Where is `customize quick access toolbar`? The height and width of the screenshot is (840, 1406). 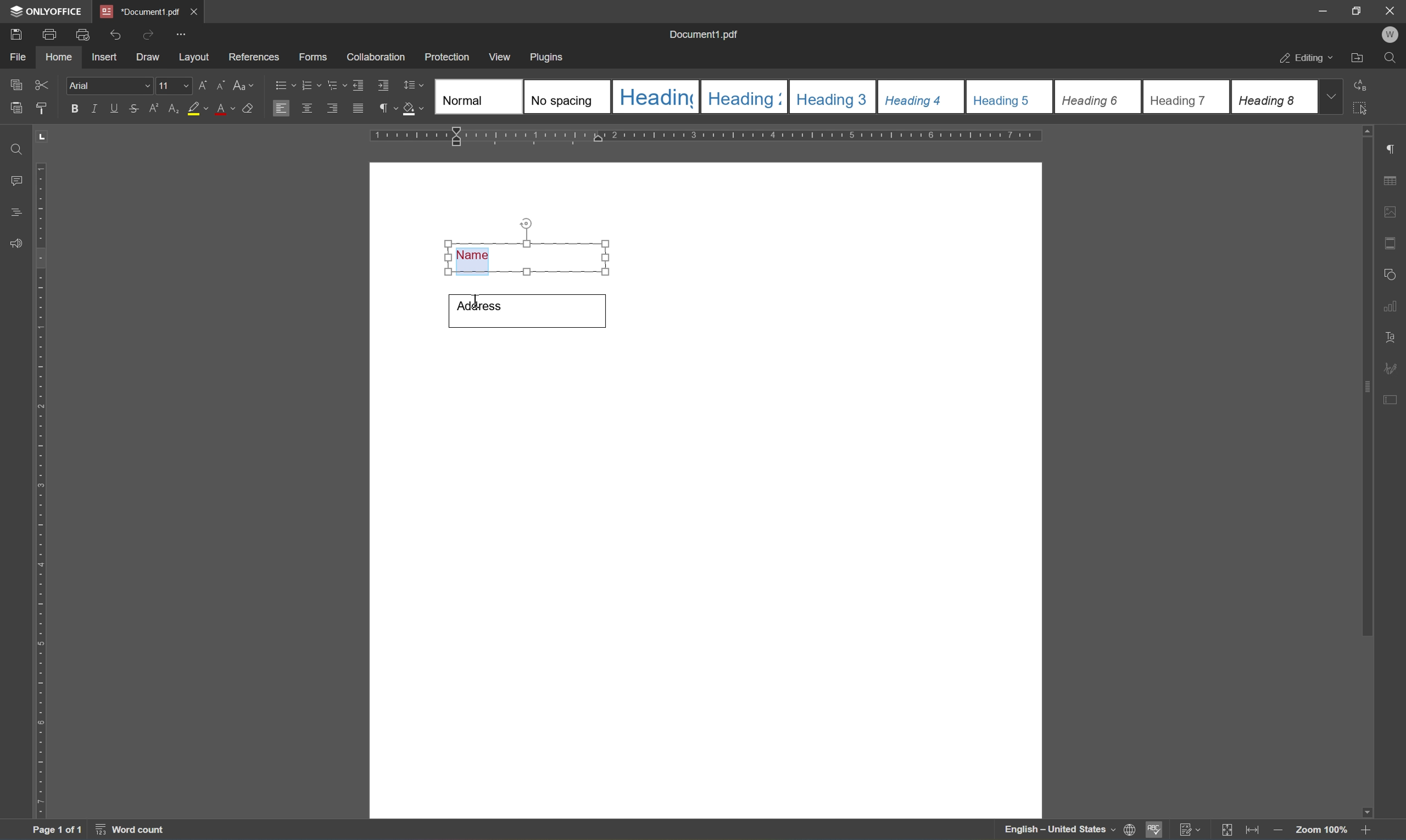
customize quick access toolbar is located at coordinates (181, 34).